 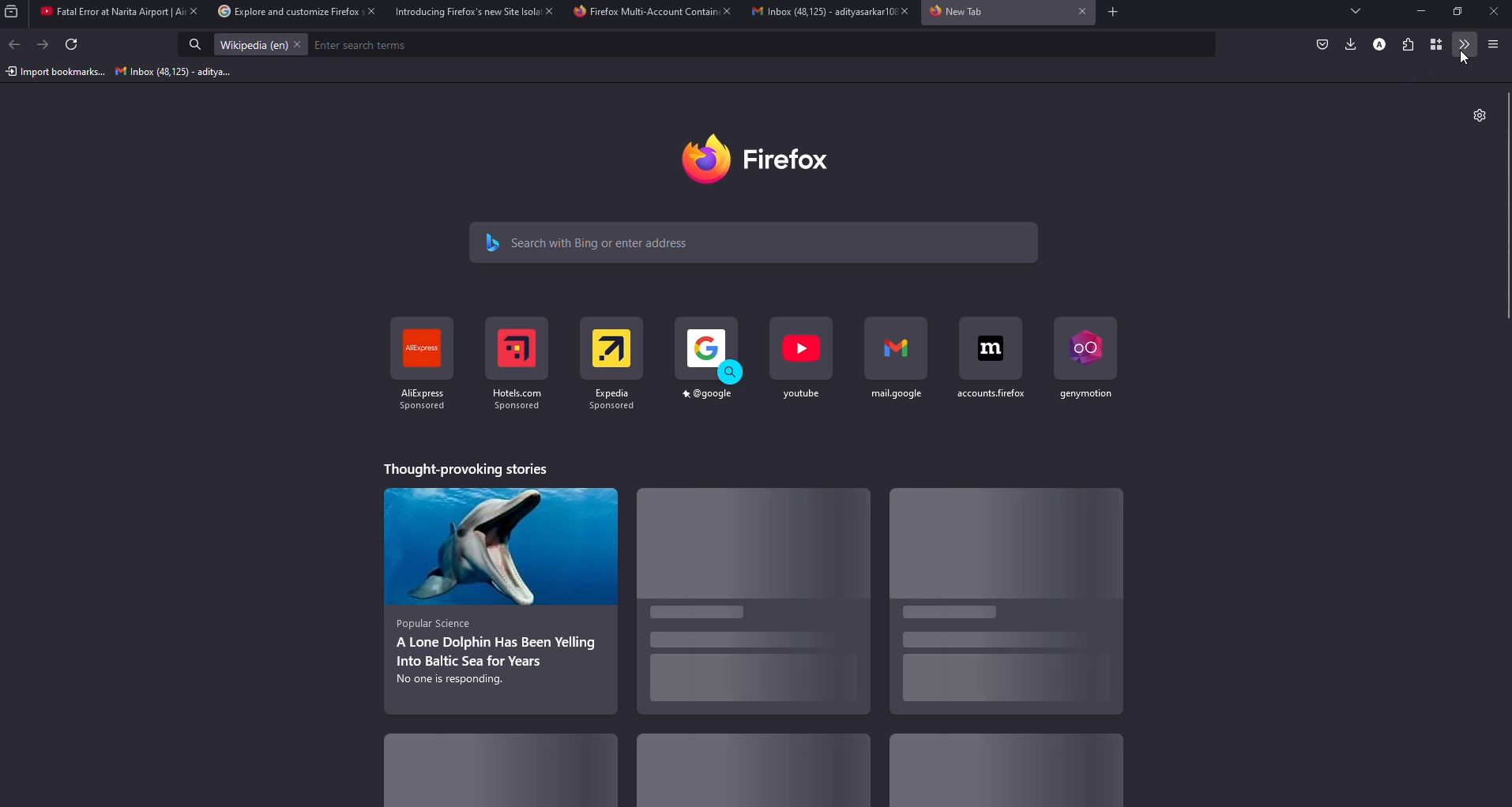 What do you see at coordinates (900, 11) in the screenshot?
I see `close` at bounding box center [900, 11].